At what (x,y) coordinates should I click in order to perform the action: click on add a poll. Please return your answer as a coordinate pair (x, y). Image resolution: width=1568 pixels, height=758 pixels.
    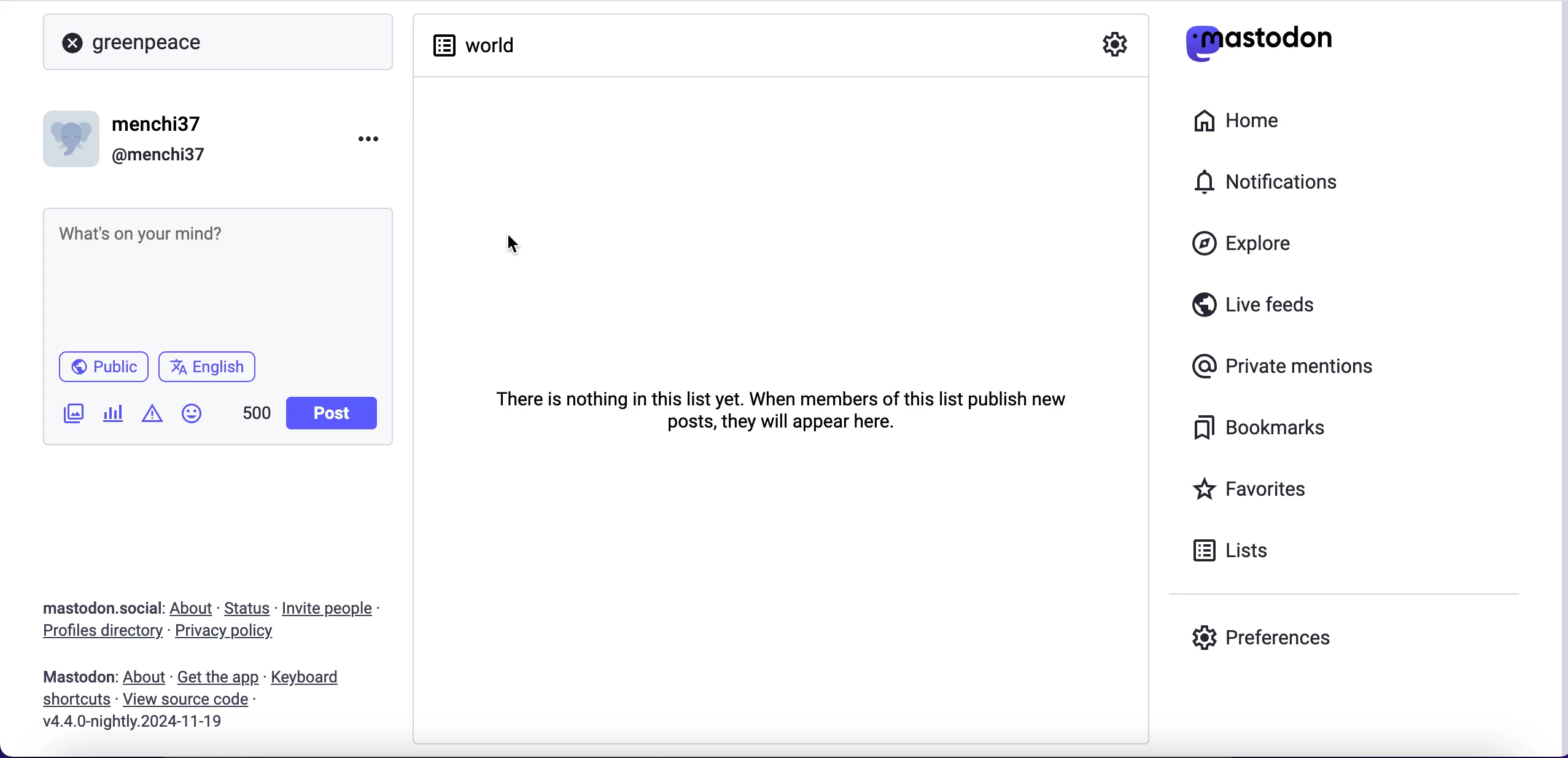
    Looking at the image, I should click on (112, 418).